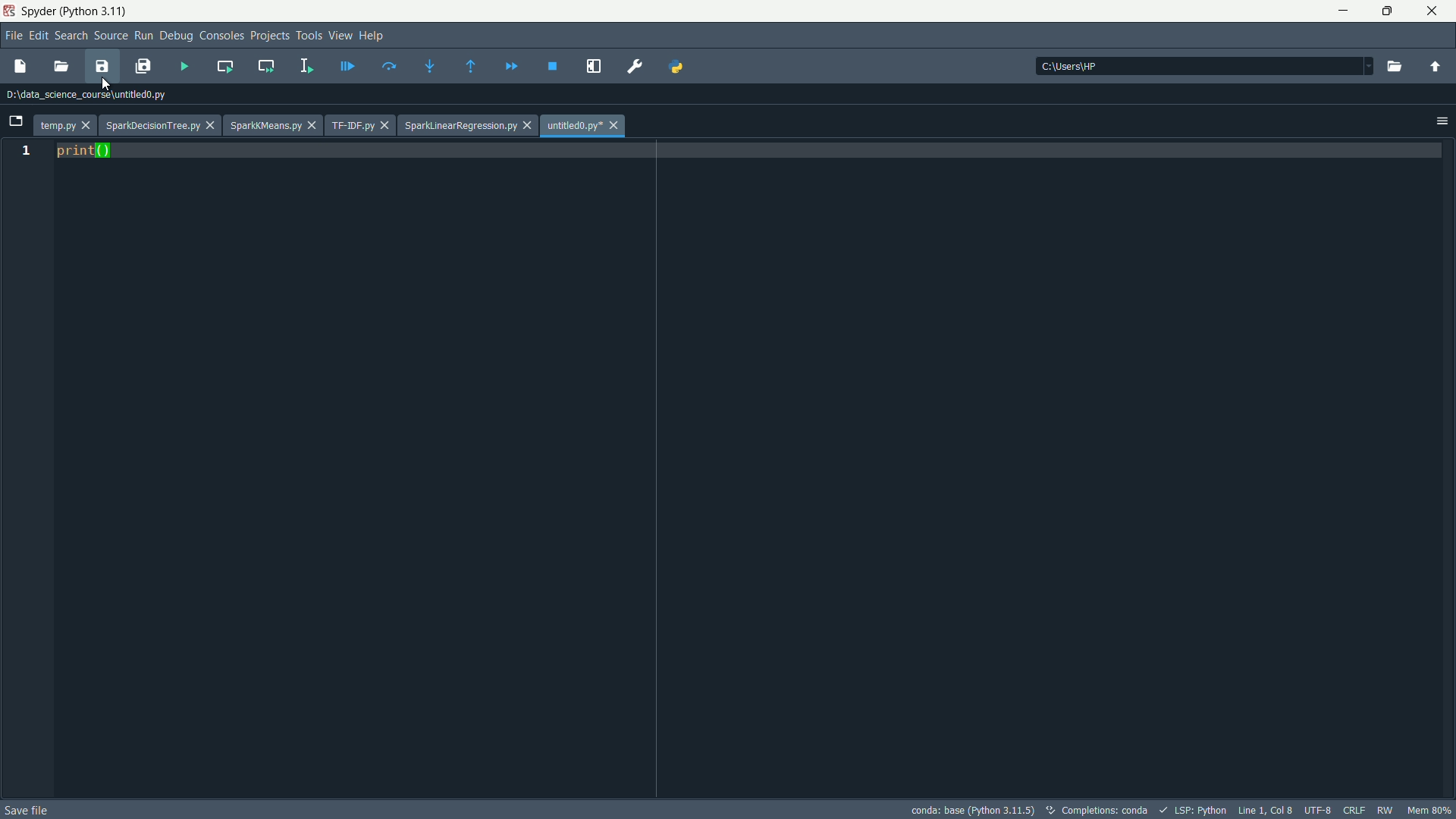  What do you see at coordinates (1444, 121) in the screenshot?
I see `Options` at bounding box center [1444, 121].